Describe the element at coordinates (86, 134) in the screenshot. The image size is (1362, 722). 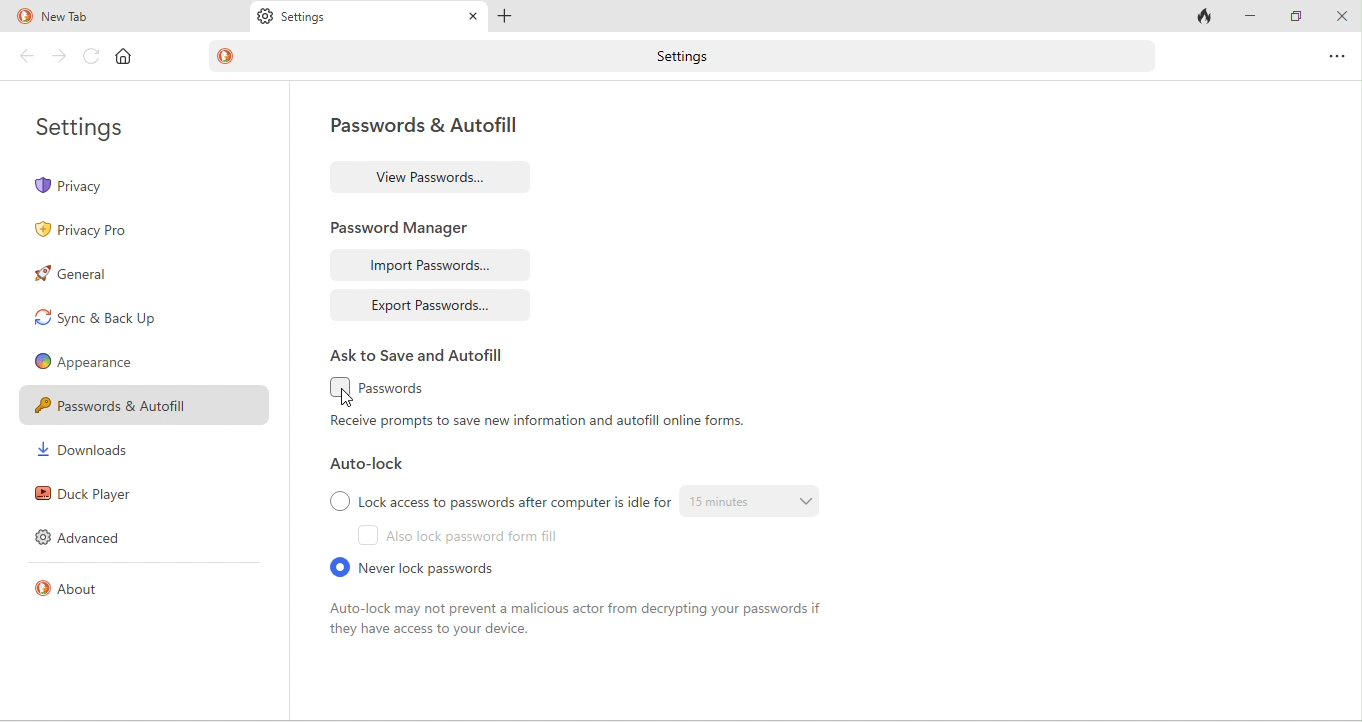
I see `settings` at that location.